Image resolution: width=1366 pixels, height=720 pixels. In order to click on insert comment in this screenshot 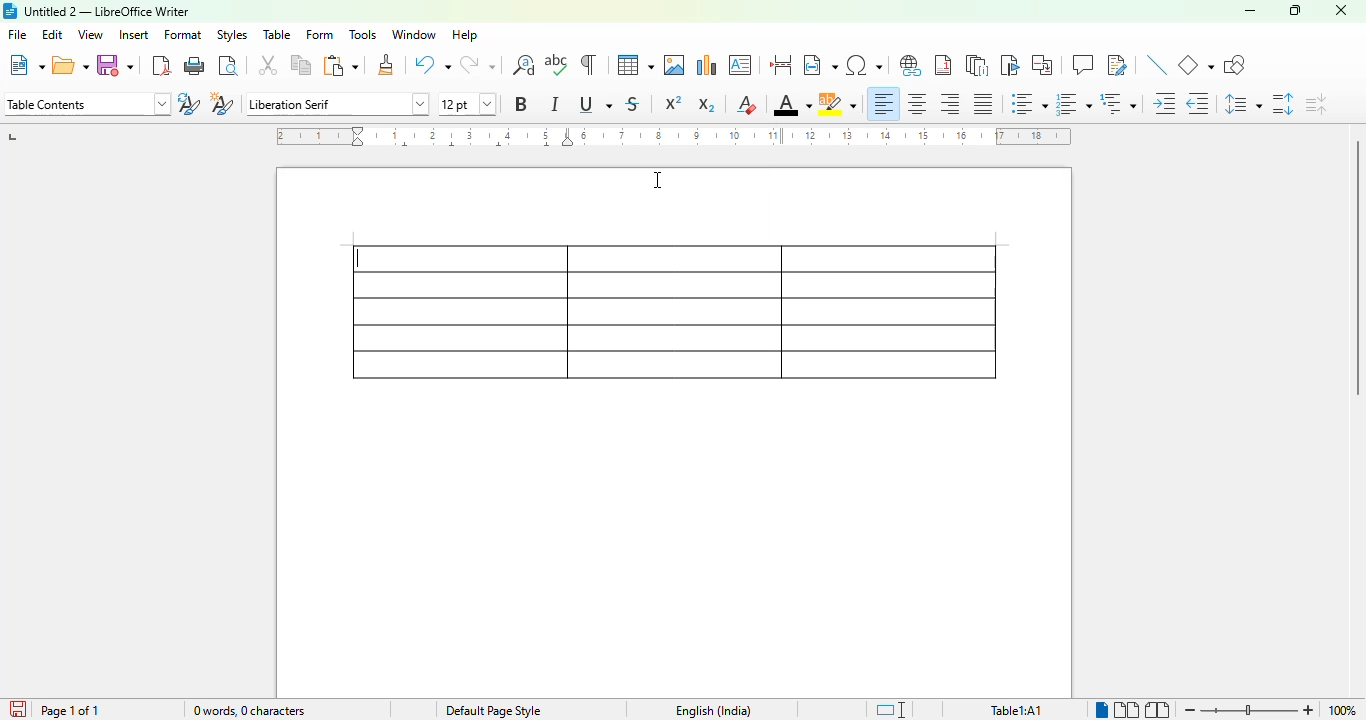, I will do `click(1083, 64)`.